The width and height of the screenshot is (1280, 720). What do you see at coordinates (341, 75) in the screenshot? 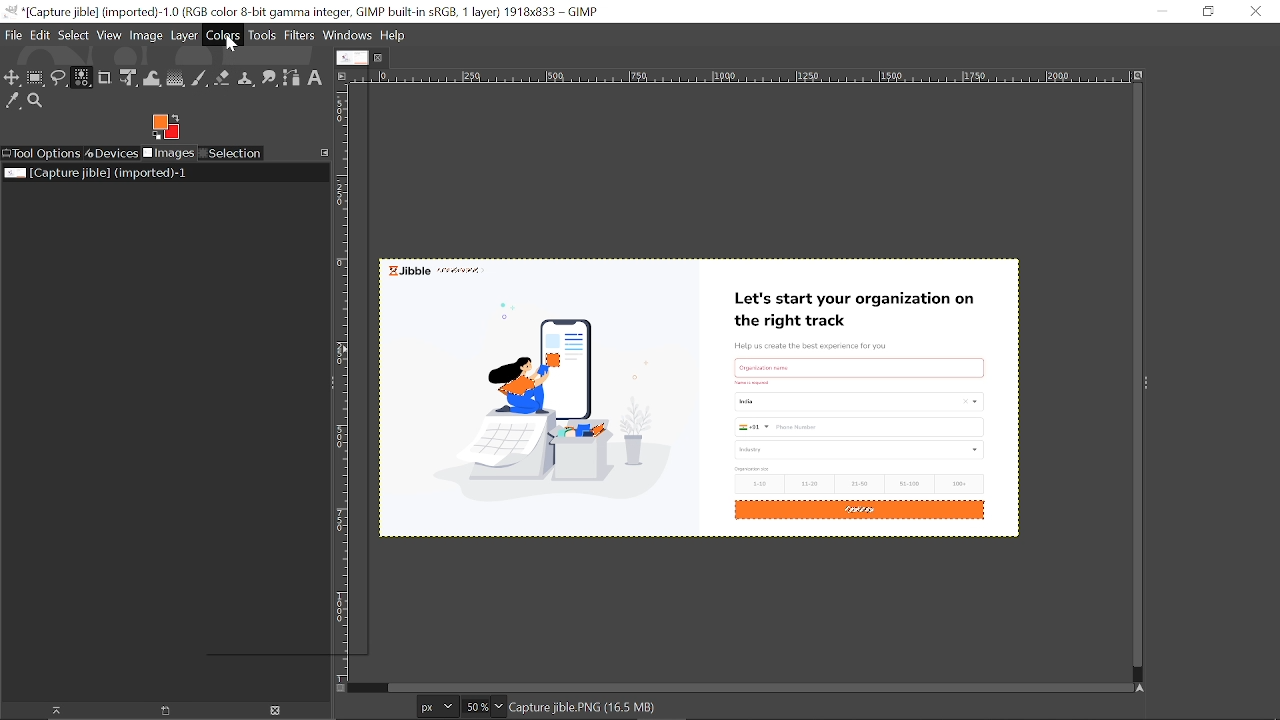
I see `Access this image menu` at bounding box center [341, 75].